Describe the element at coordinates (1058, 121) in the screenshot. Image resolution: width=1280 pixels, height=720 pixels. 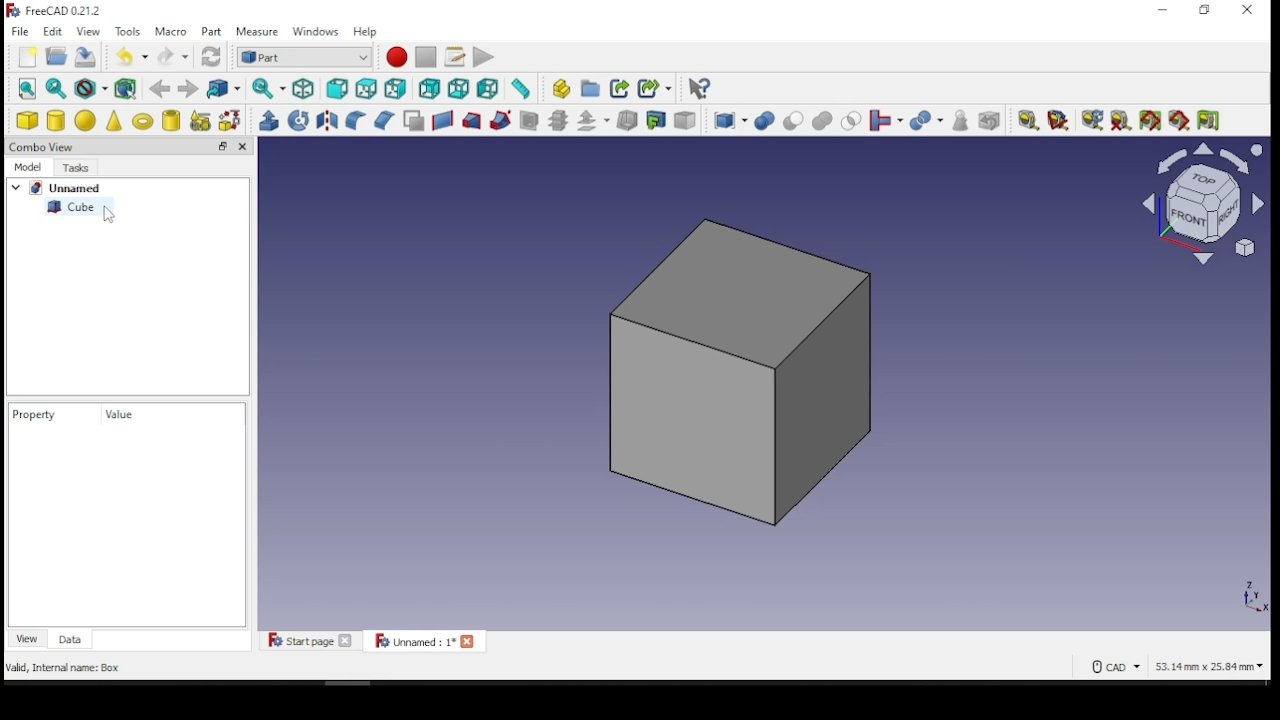
I see `measure angular` at that location.